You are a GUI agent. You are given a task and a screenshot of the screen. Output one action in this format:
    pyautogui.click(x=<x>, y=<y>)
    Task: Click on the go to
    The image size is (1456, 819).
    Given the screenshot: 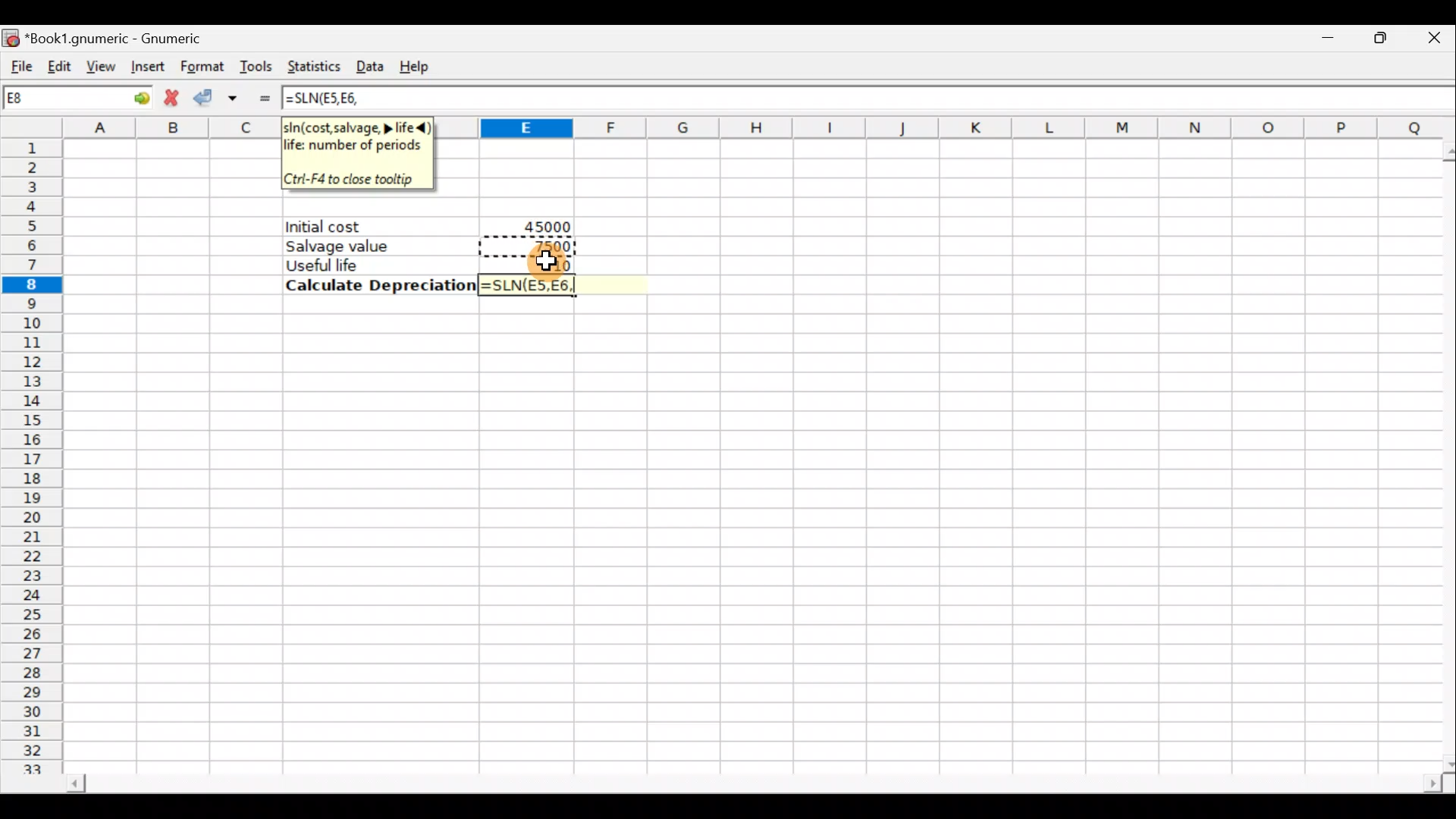 What is the action you would take?
    pyautogui.click(x=132, y=98)
    